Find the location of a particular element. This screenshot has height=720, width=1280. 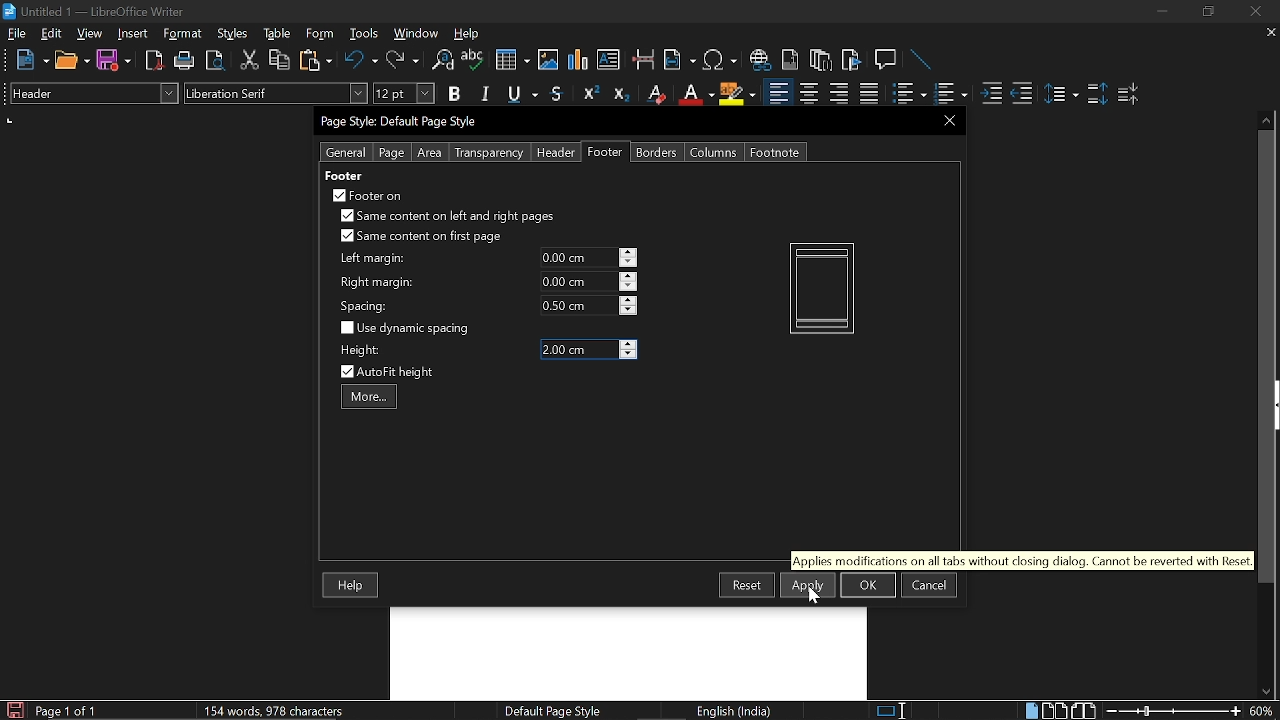

increase left margin is located at coordinates (629, 252).